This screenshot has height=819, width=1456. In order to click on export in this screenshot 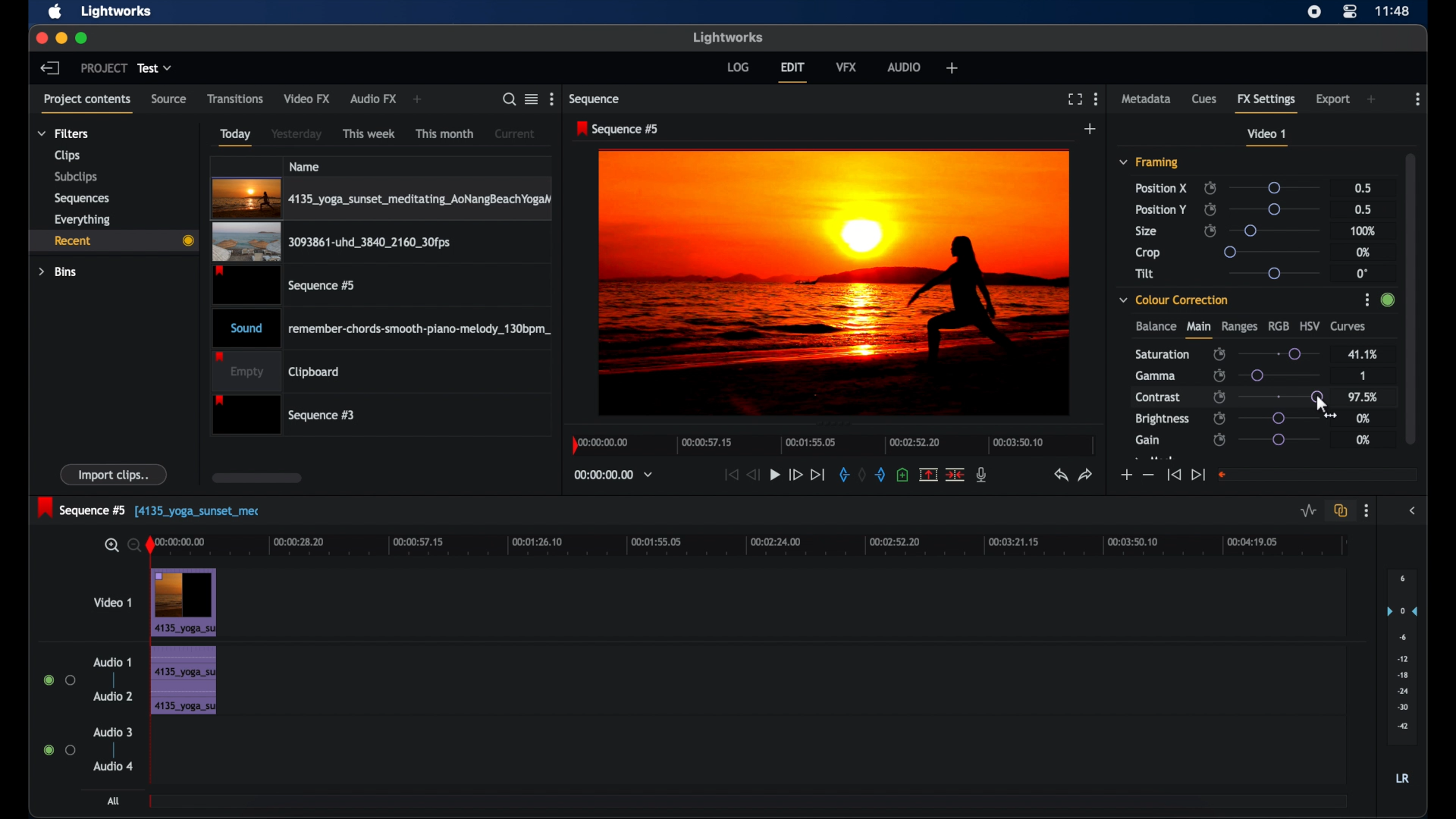, I will do `click(1333, 99)`.